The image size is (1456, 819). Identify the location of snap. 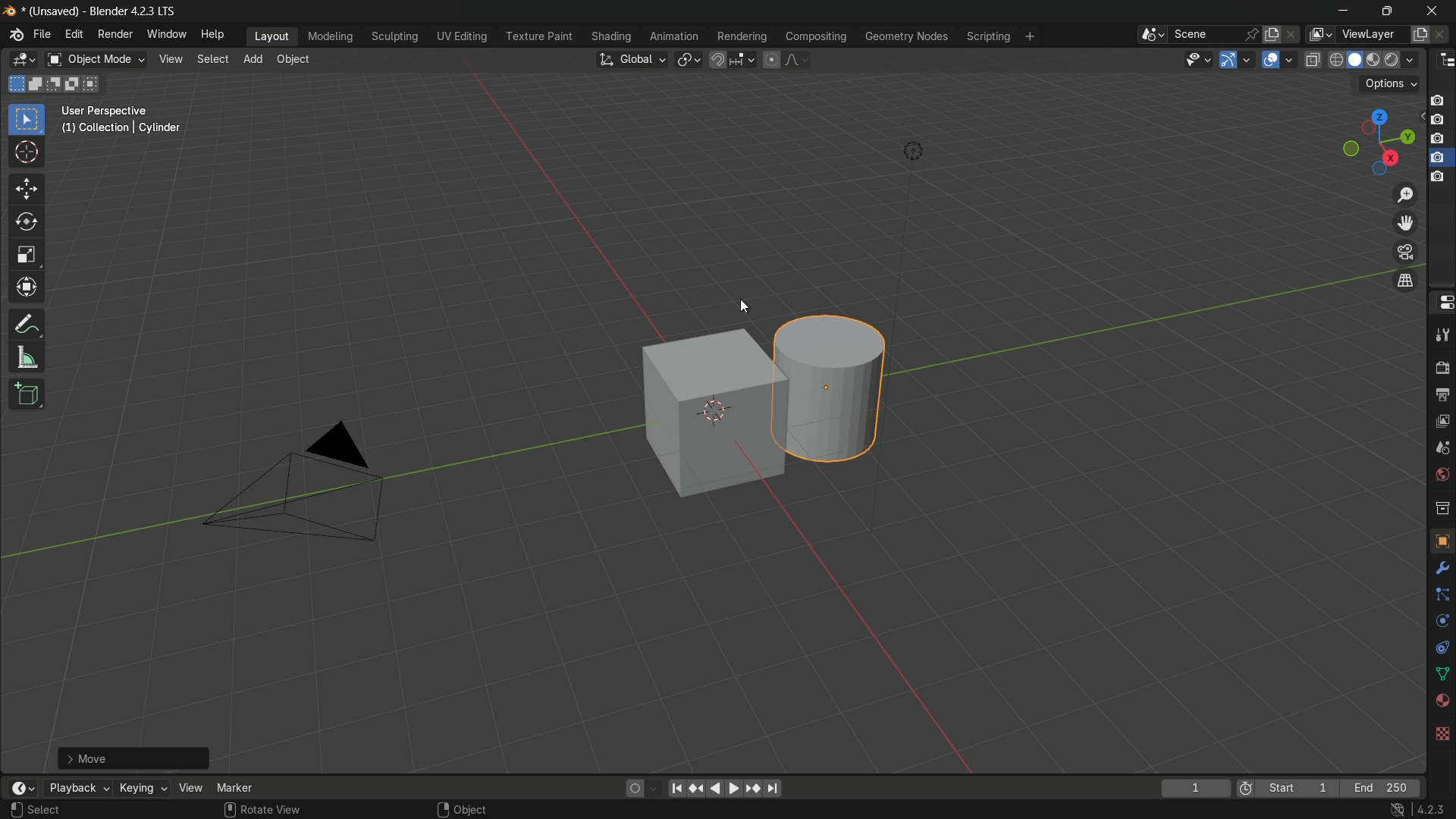
(731, 60).